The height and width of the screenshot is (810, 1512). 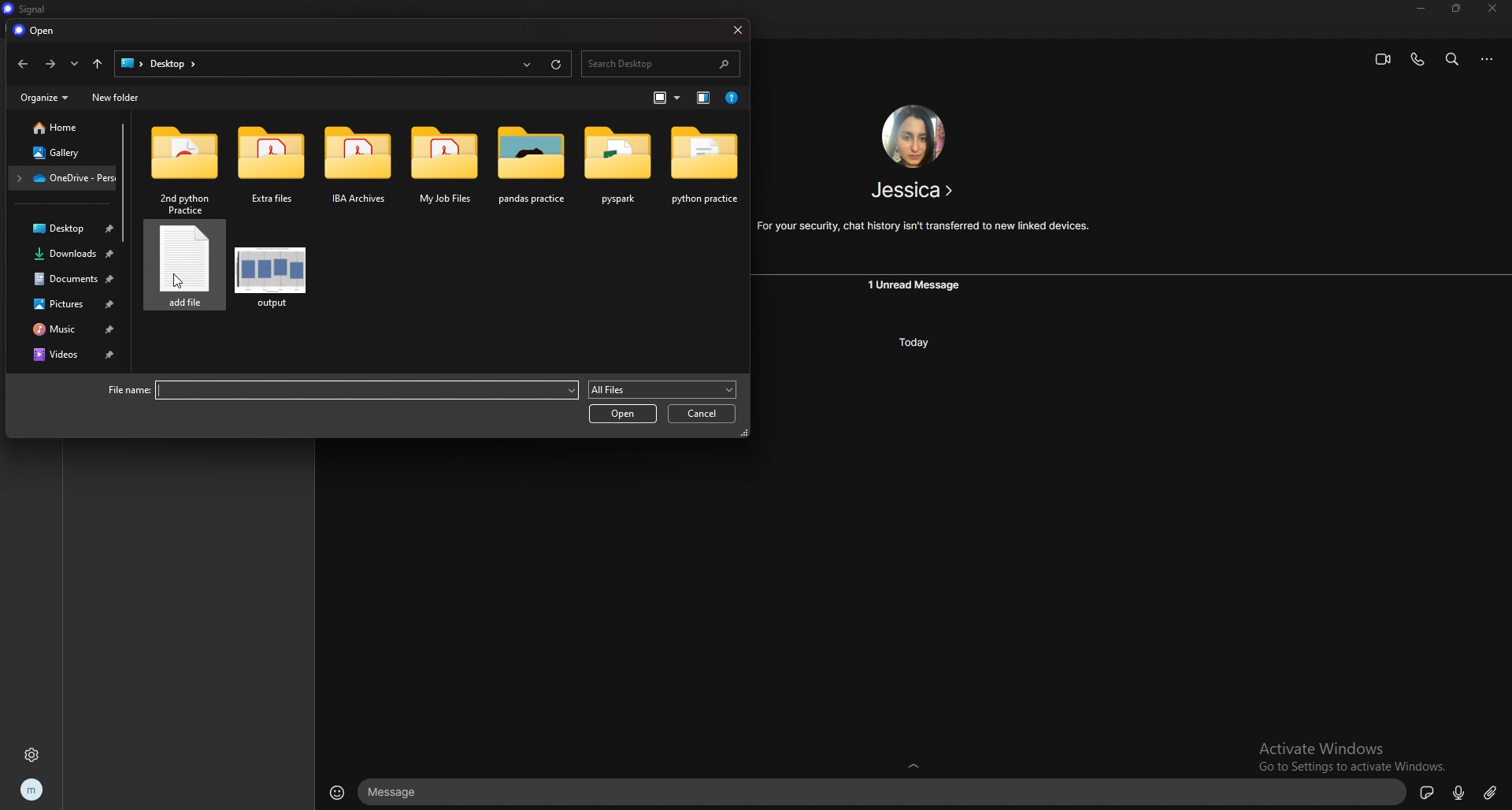 What do you see at coordinates (272, 169) in the screenshot?
I see `folder` at bounding box center [272, 169].